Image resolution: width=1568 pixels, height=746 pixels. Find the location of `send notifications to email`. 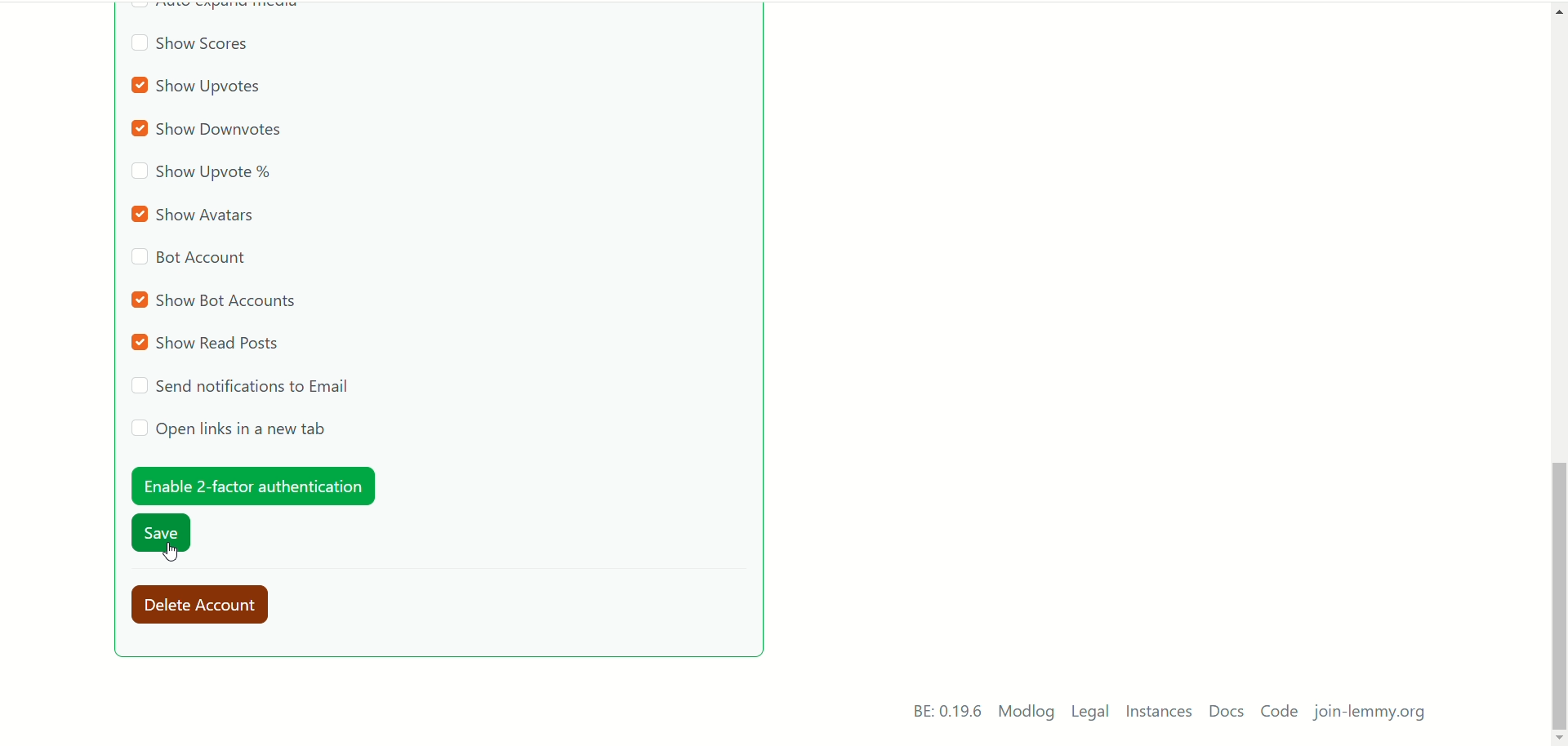

send notifications to email is located at coordinates (244, 386).